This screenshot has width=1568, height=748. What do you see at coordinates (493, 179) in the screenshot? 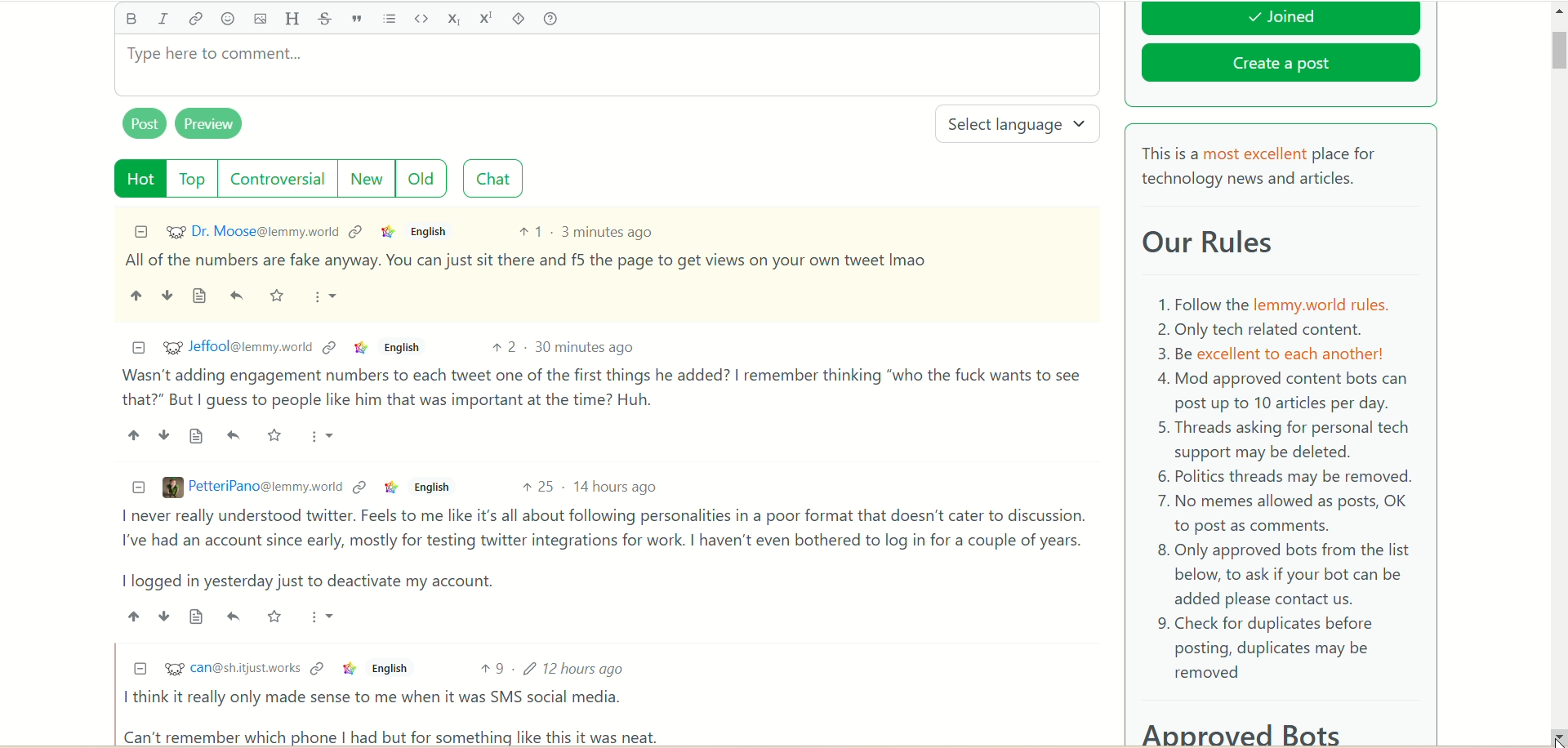
I see `chat` at bounding box center [493, 179].